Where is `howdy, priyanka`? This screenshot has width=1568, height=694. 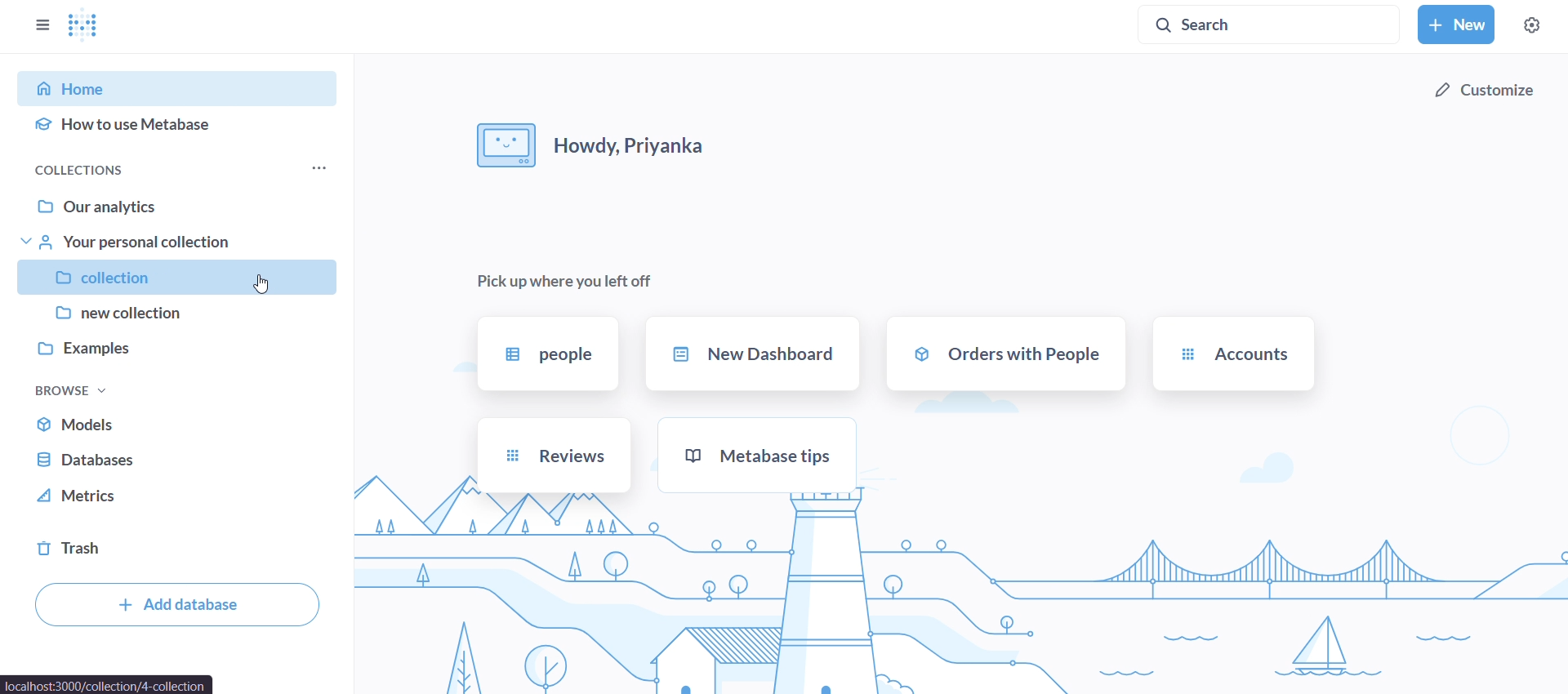
howdy, priyanka is located at coordinates (590, 144).